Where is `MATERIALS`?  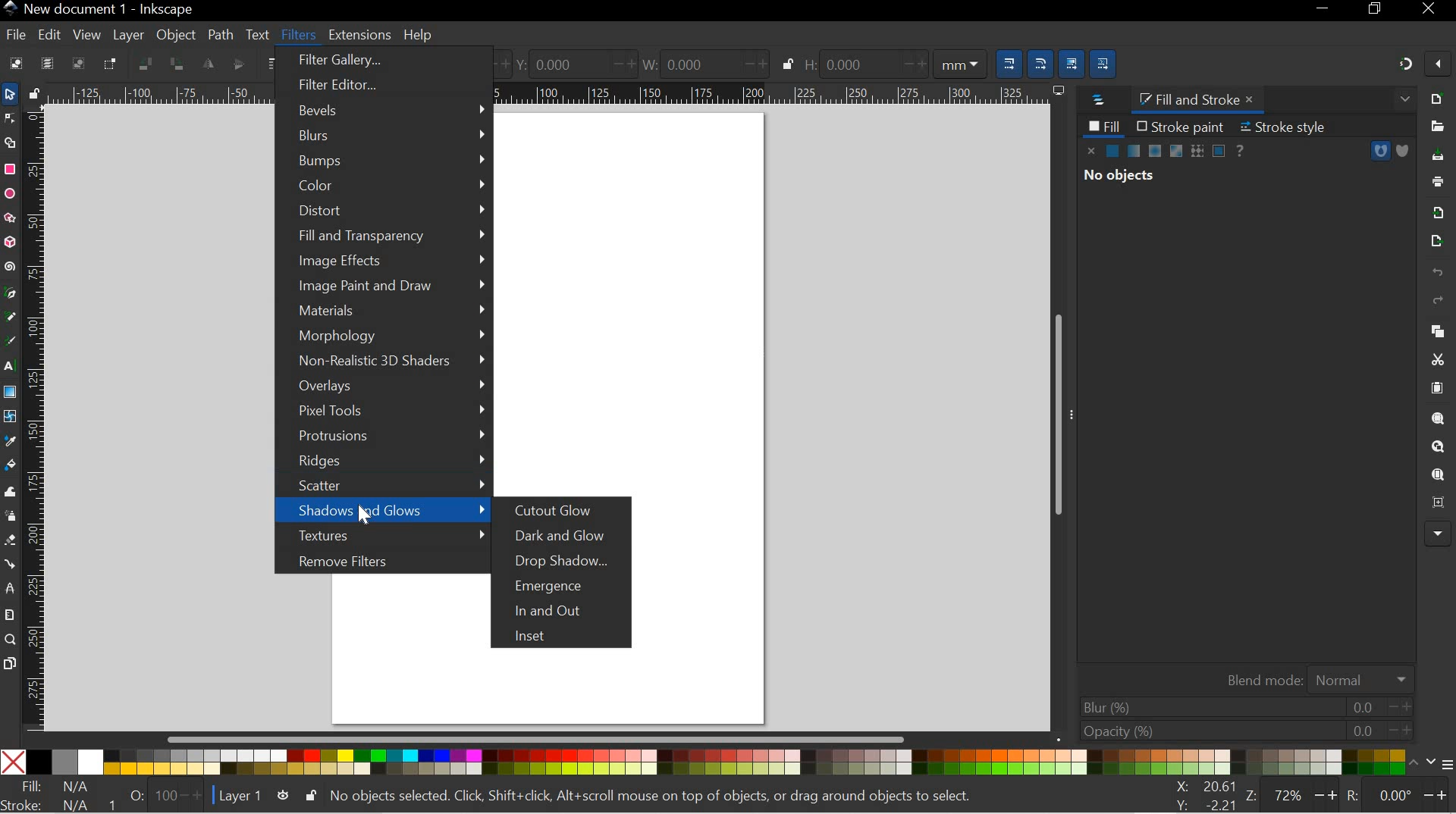
MATERIALS is located at coordinates (383, 312).